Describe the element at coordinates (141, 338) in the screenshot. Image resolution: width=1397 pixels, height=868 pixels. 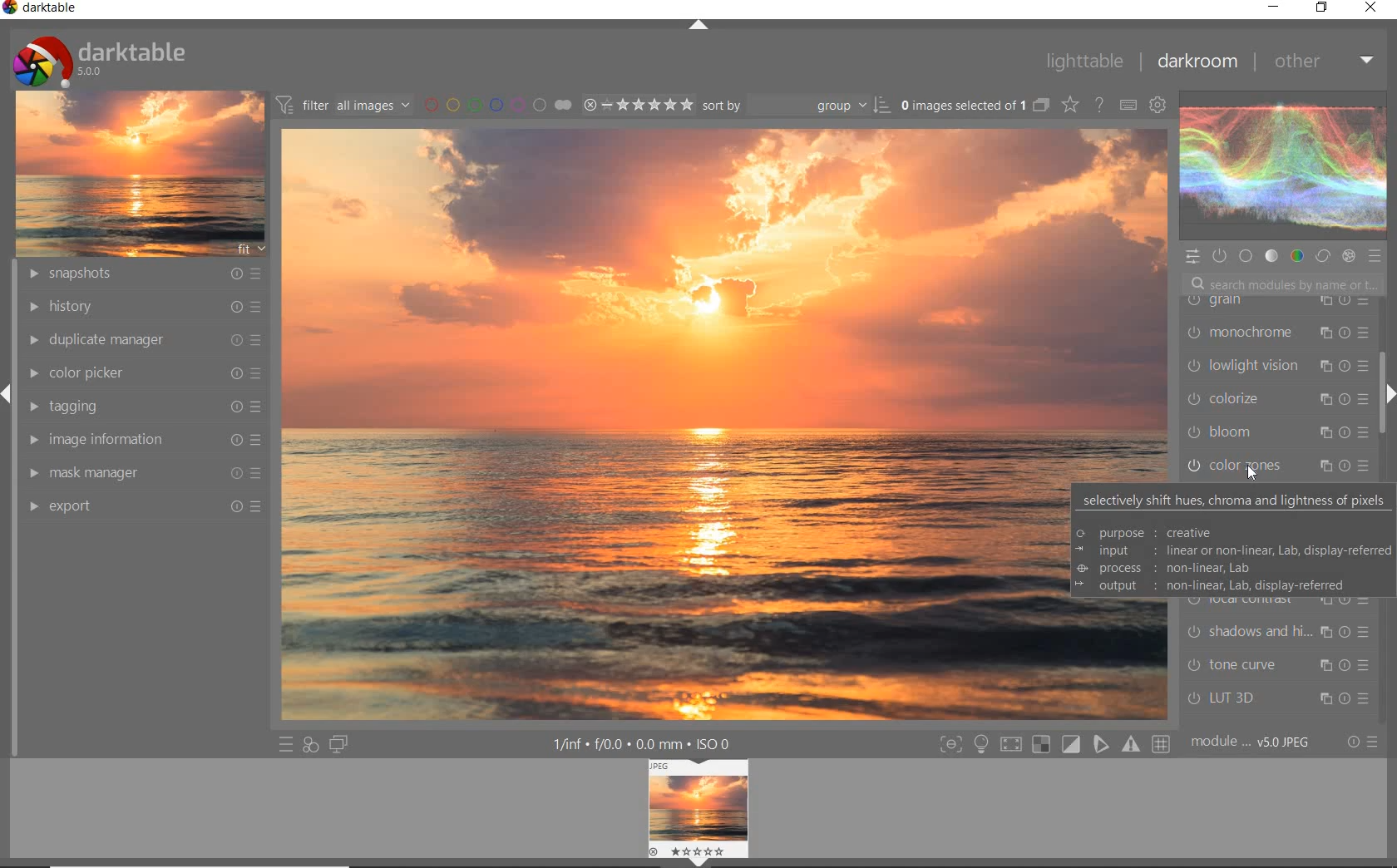
I see `DUPLICATE MANAGER` at that location.